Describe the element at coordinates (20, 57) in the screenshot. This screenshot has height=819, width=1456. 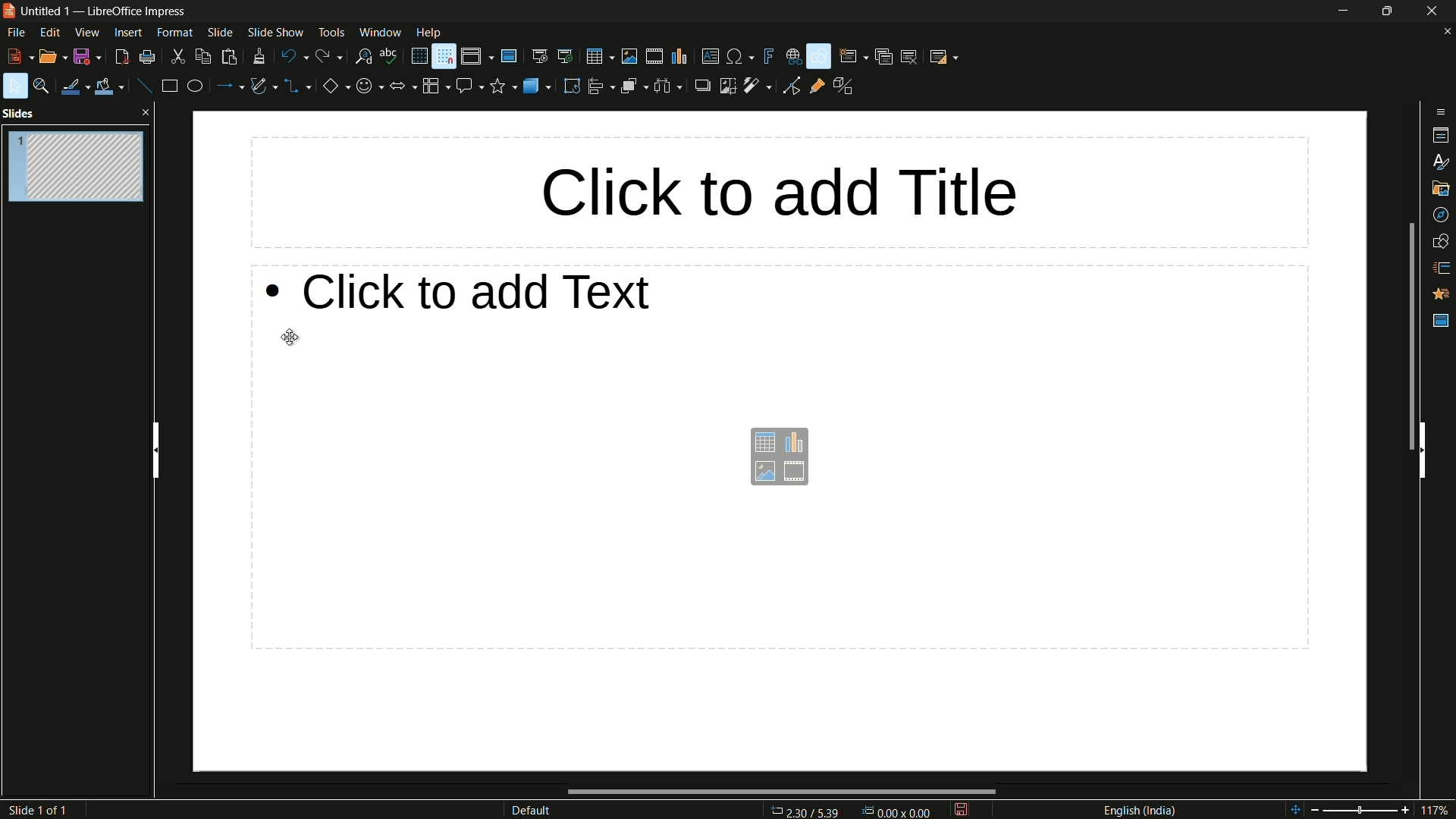
I see `new file` at that location.